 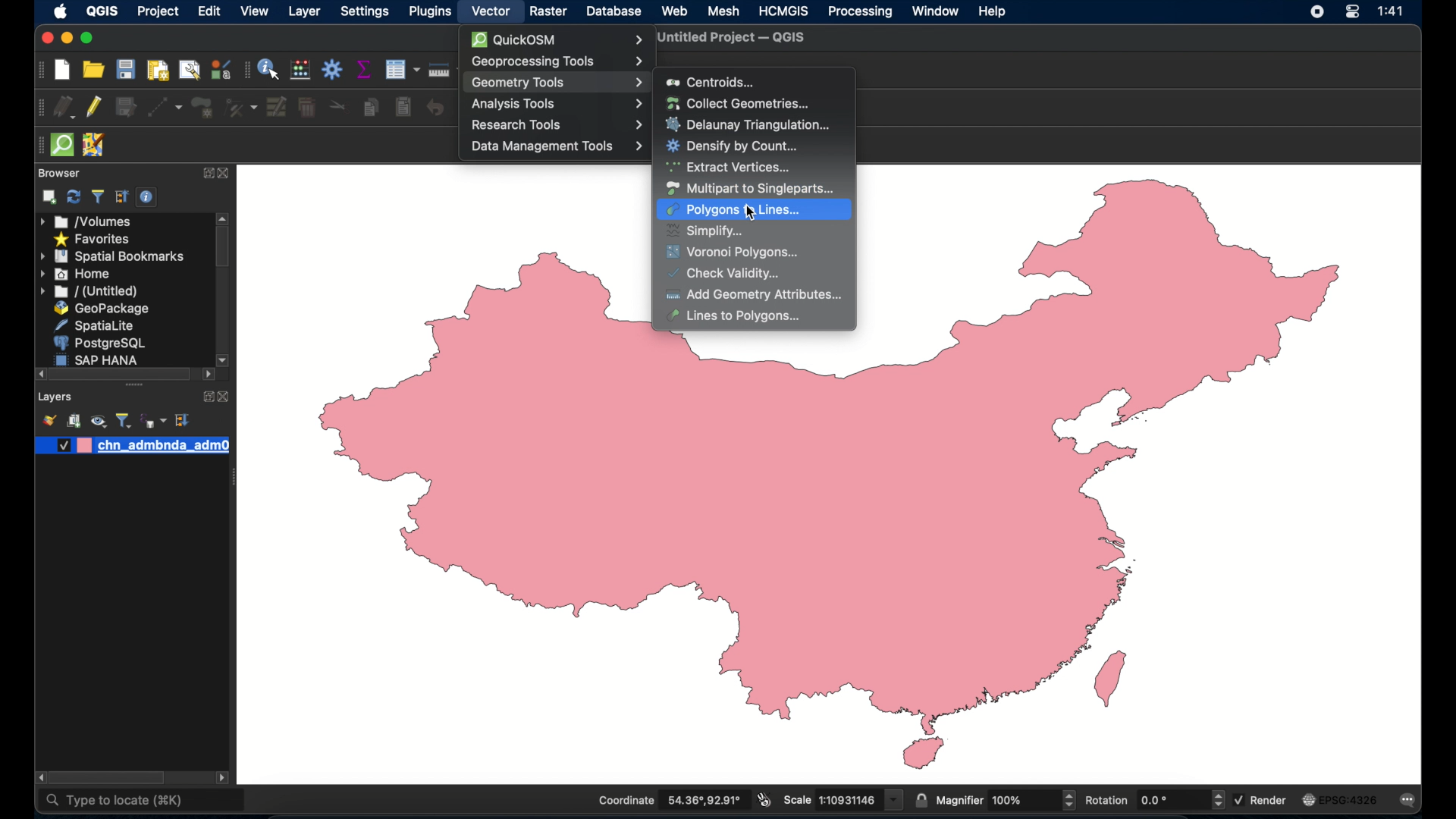 I want to click on identify features, so click(x=269, y=69).